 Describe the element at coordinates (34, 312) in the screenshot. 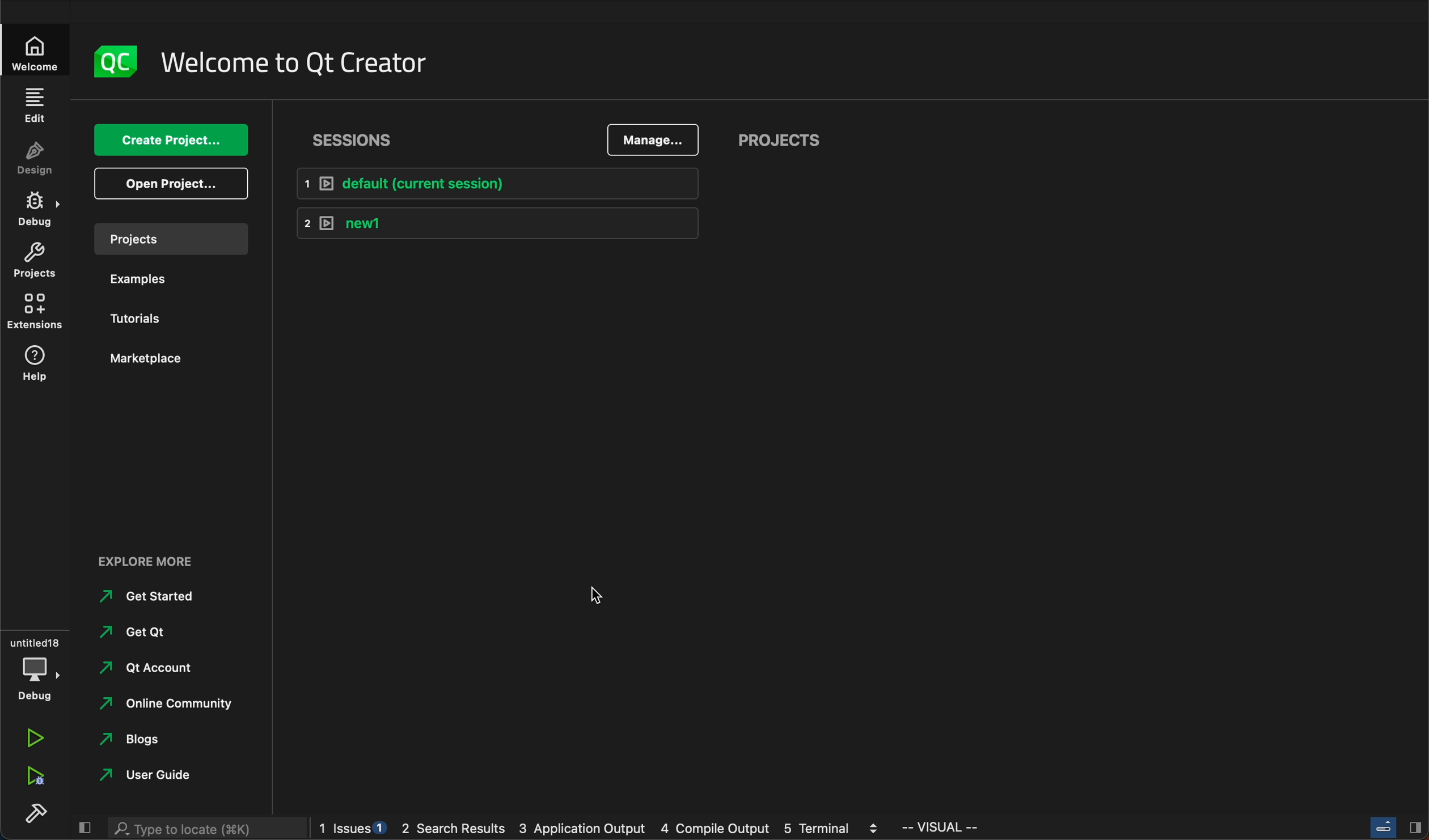

I see `extensions` at that location.